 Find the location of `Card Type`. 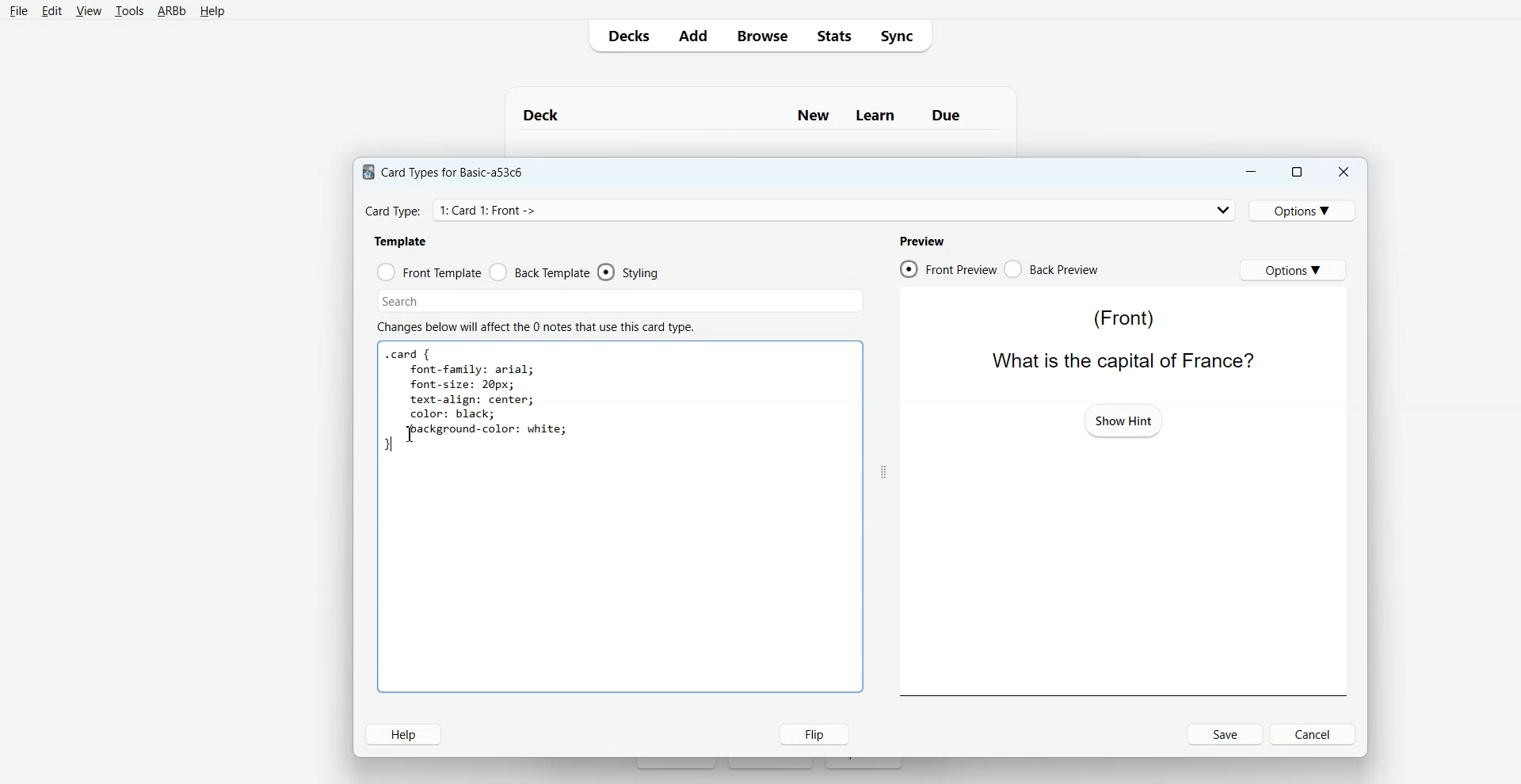

Card Type is located at coordinates (801, 210).